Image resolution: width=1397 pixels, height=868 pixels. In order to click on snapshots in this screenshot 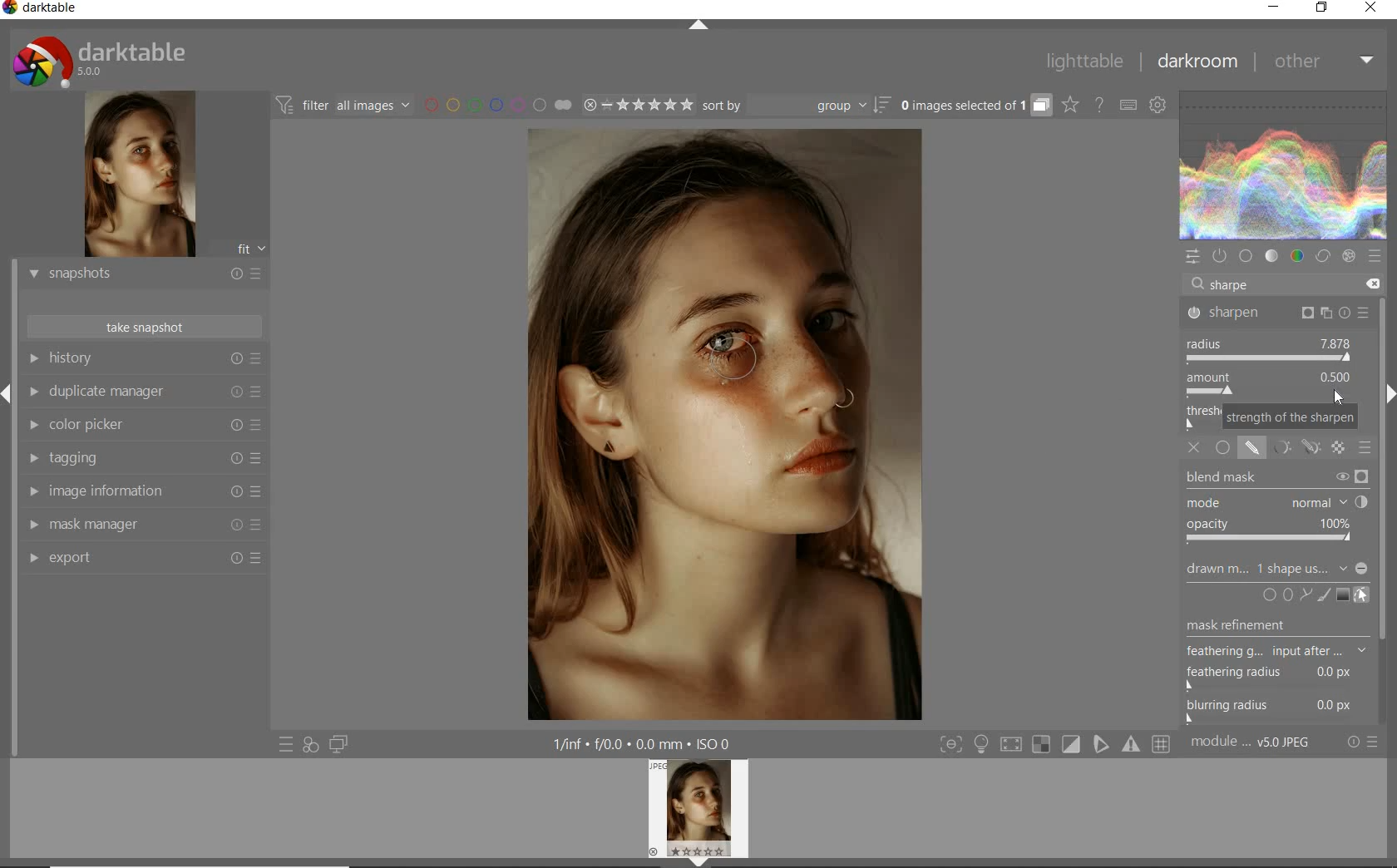, I will do `click(144, 275)`.